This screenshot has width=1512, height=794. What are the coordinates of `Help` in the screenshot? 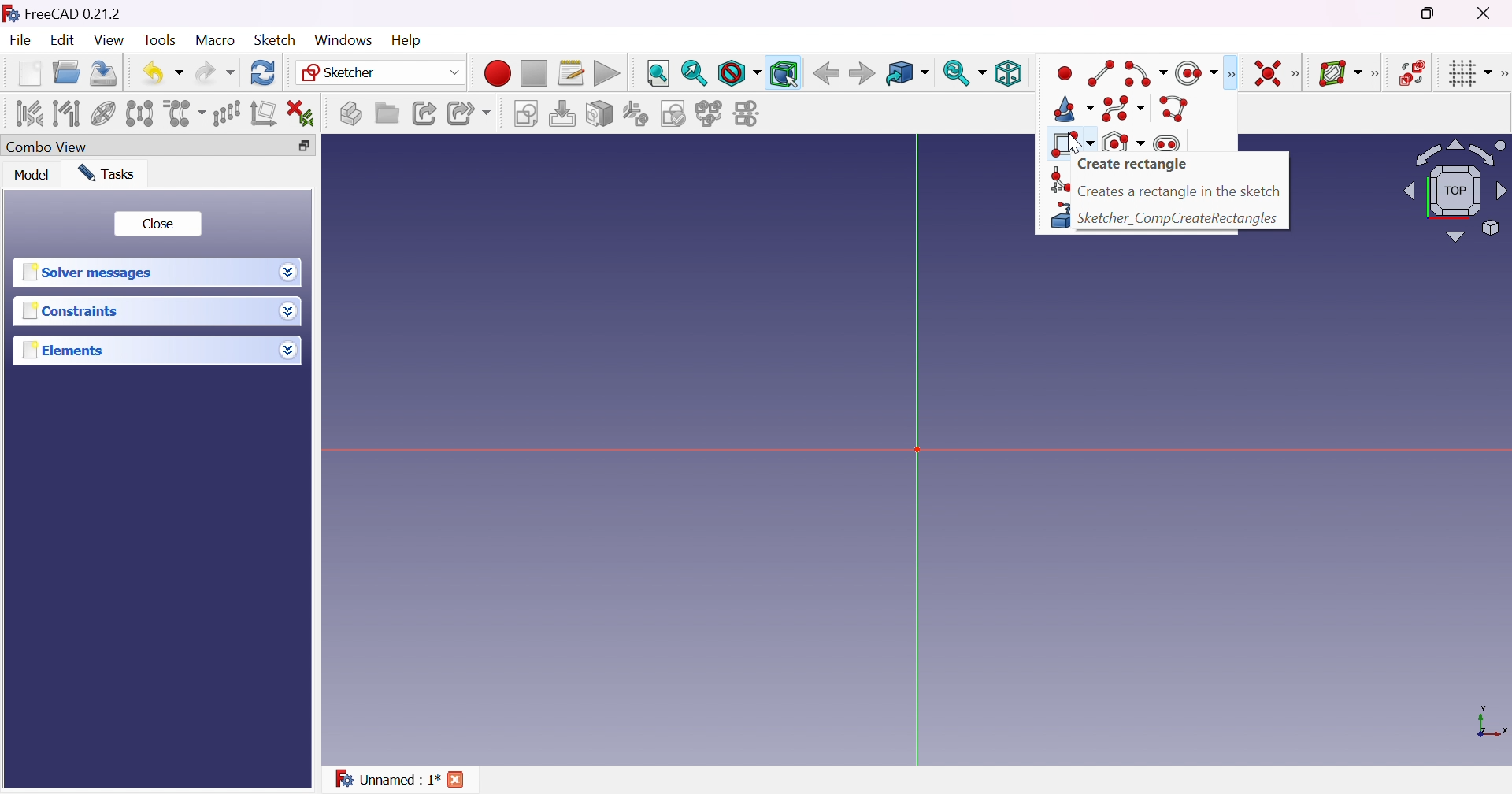 It's located at (408, 41).